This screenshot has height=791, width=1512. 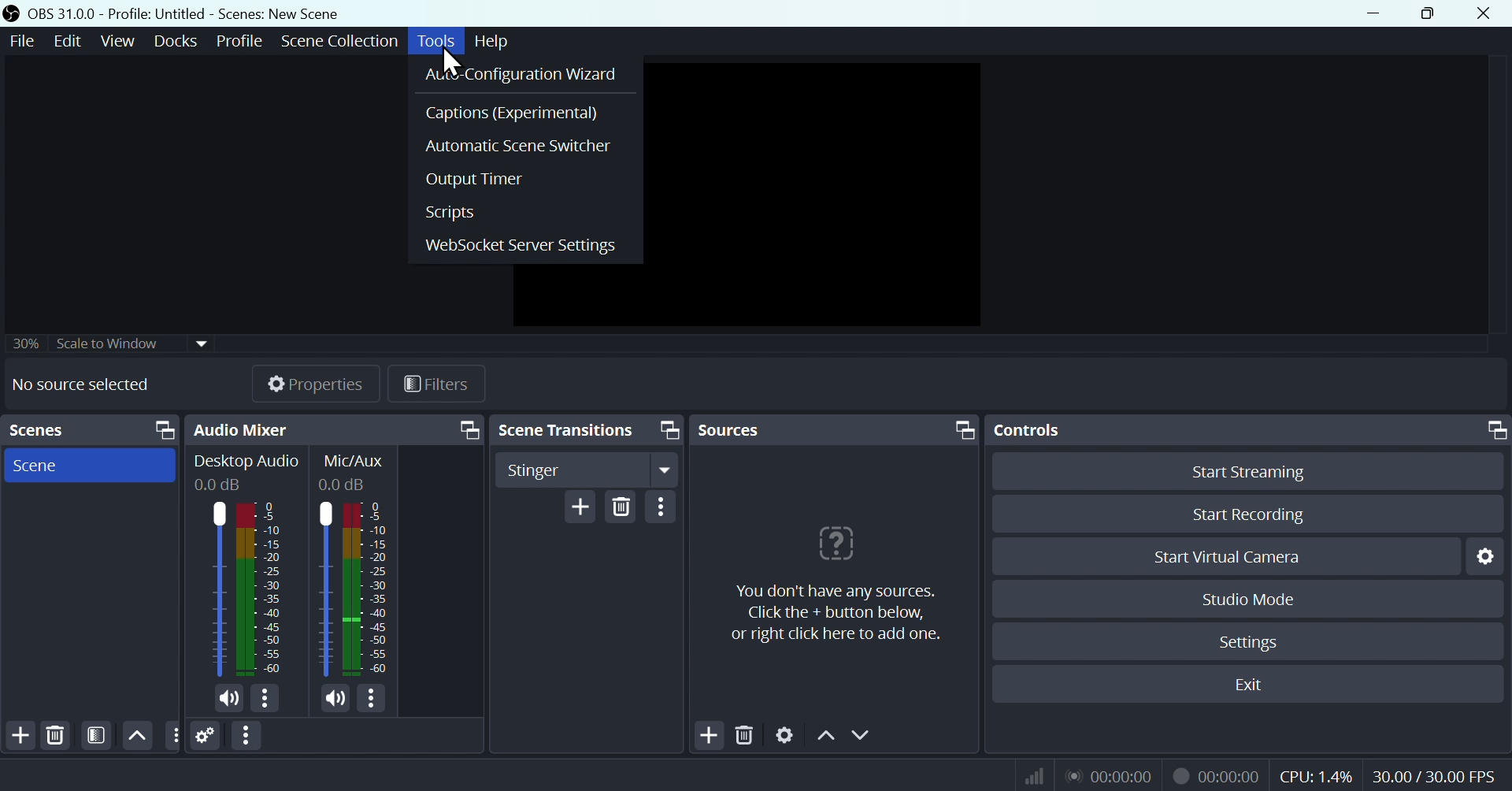 I want to click on Filters, so click(x=435, y=383).